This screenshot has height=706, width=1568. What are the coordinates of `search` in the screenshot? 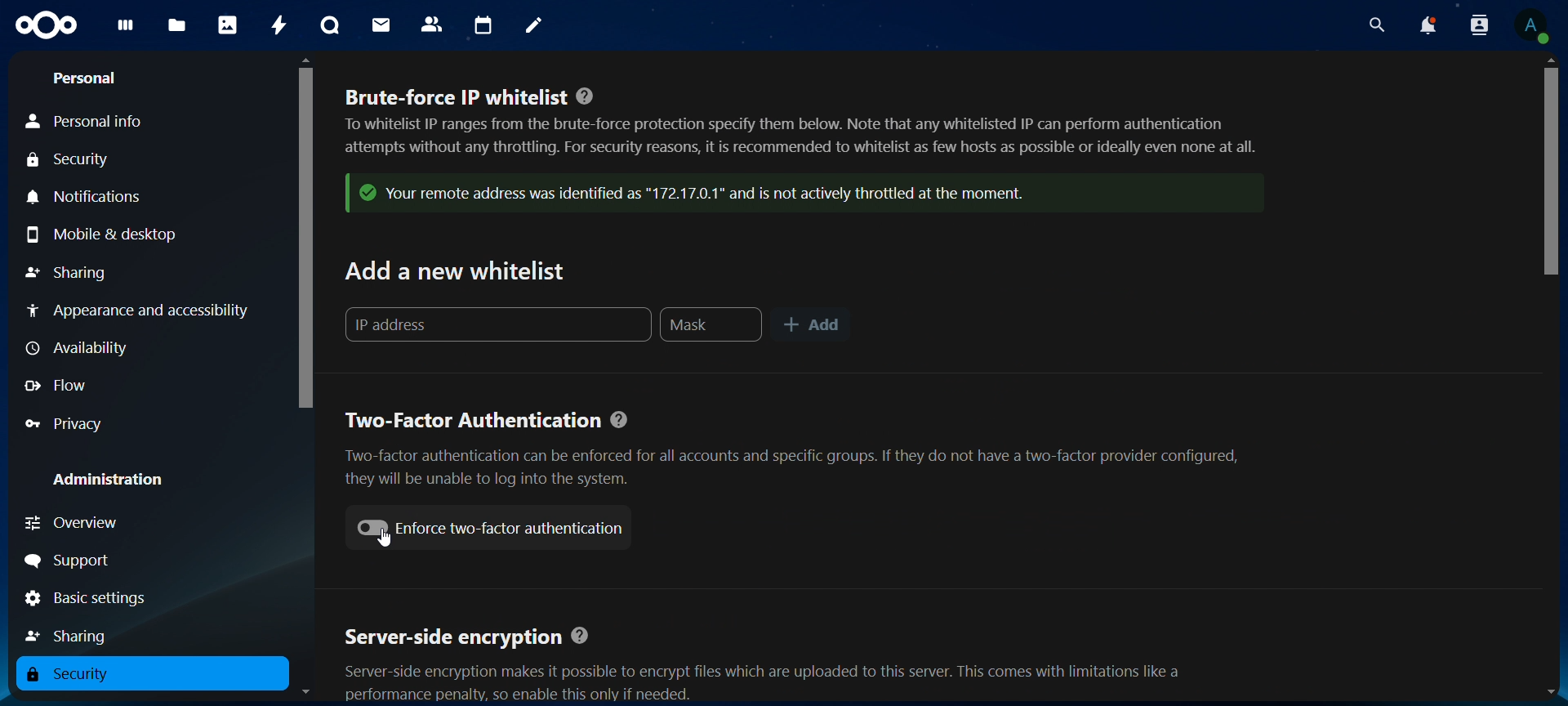 It's located at (1376, 25).